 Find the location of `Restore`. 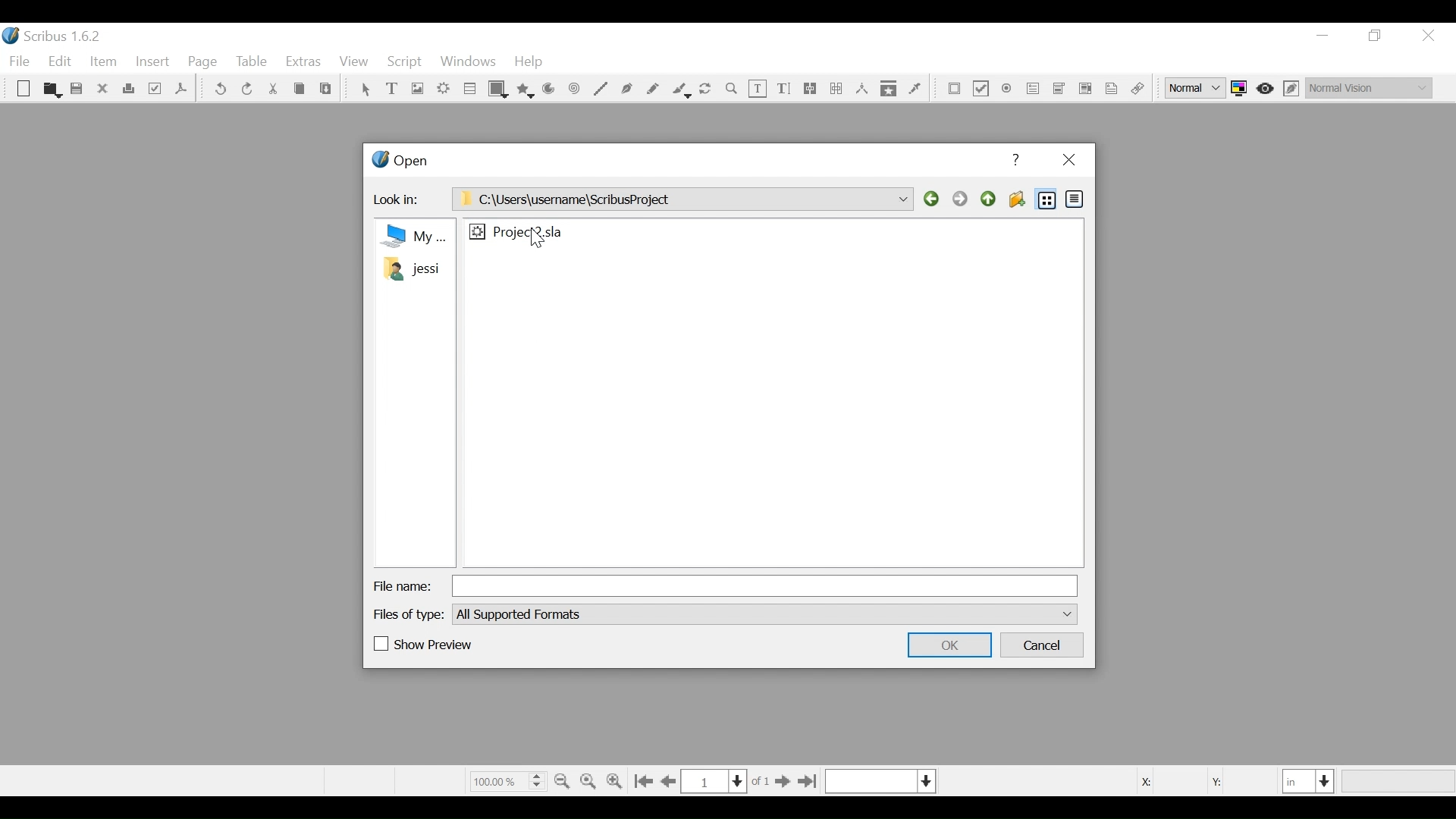

Restore is located at coordinates (1376, 36).